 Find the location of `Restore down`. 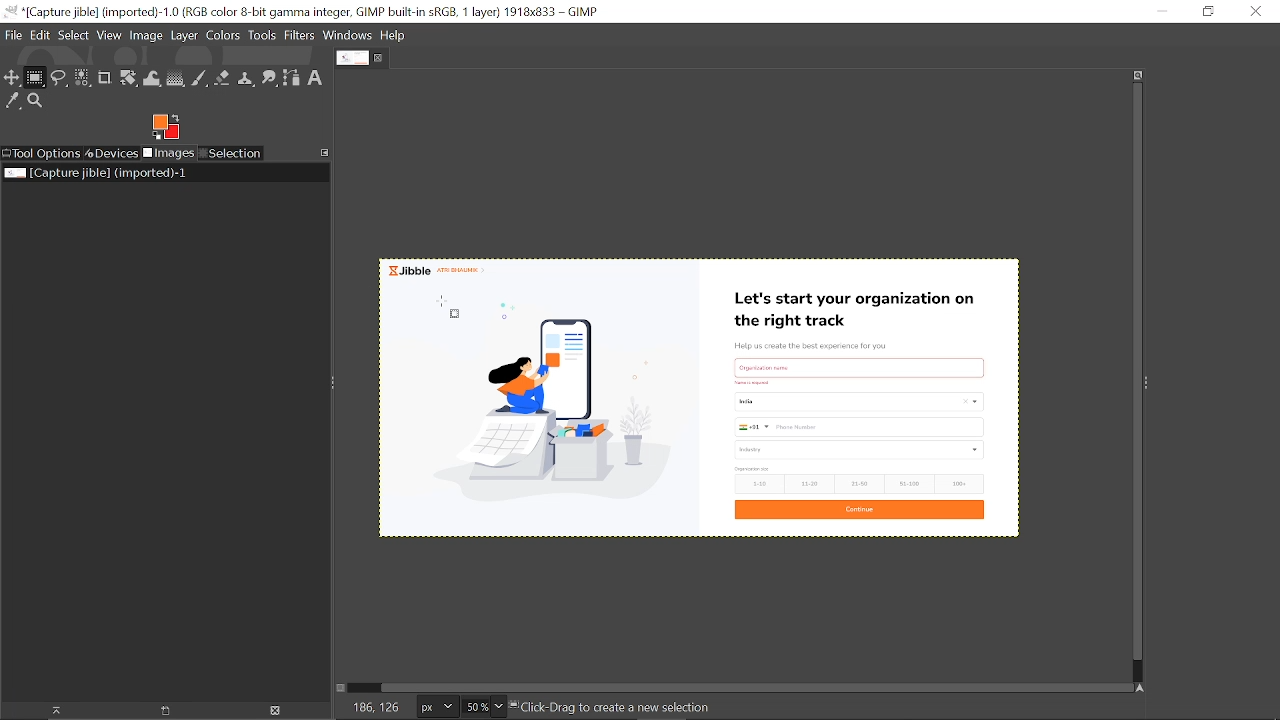

Restore down is located at coordinates (1202, 12).